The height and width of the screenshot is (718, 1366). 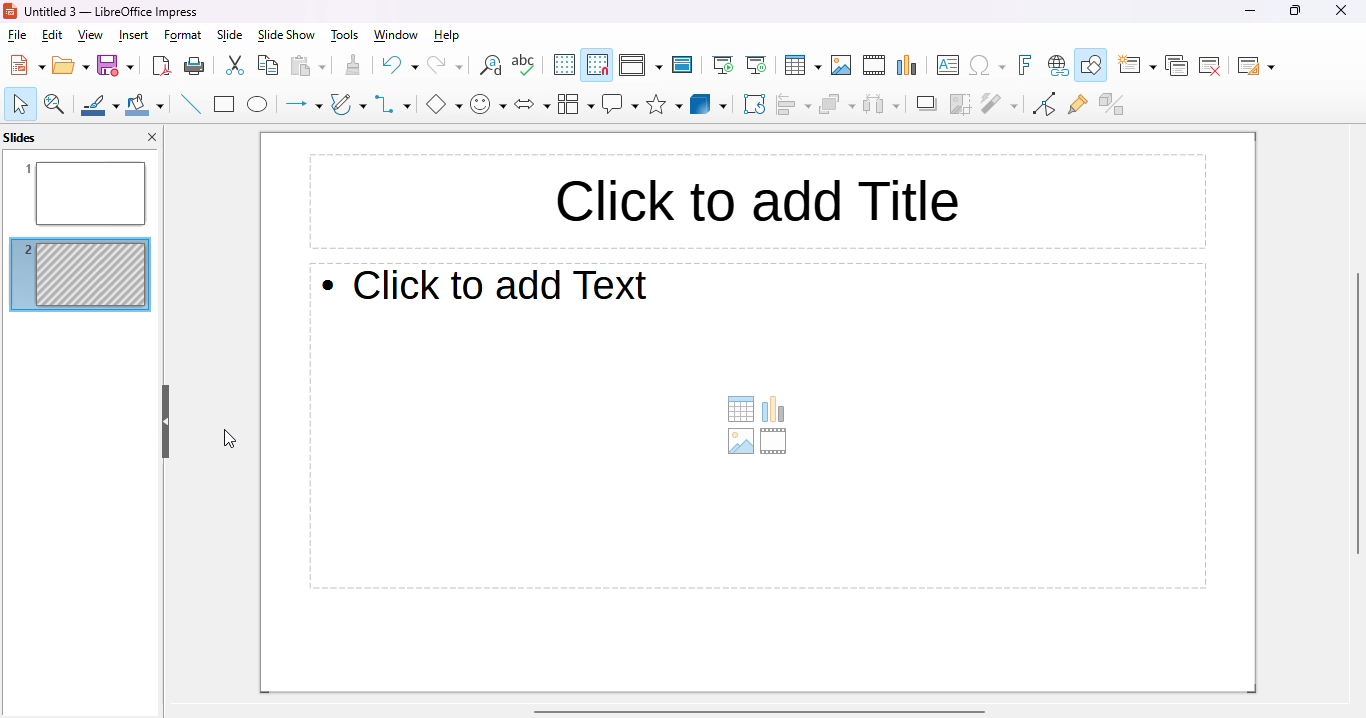 I want to click on help, so click(x=447, y=36).